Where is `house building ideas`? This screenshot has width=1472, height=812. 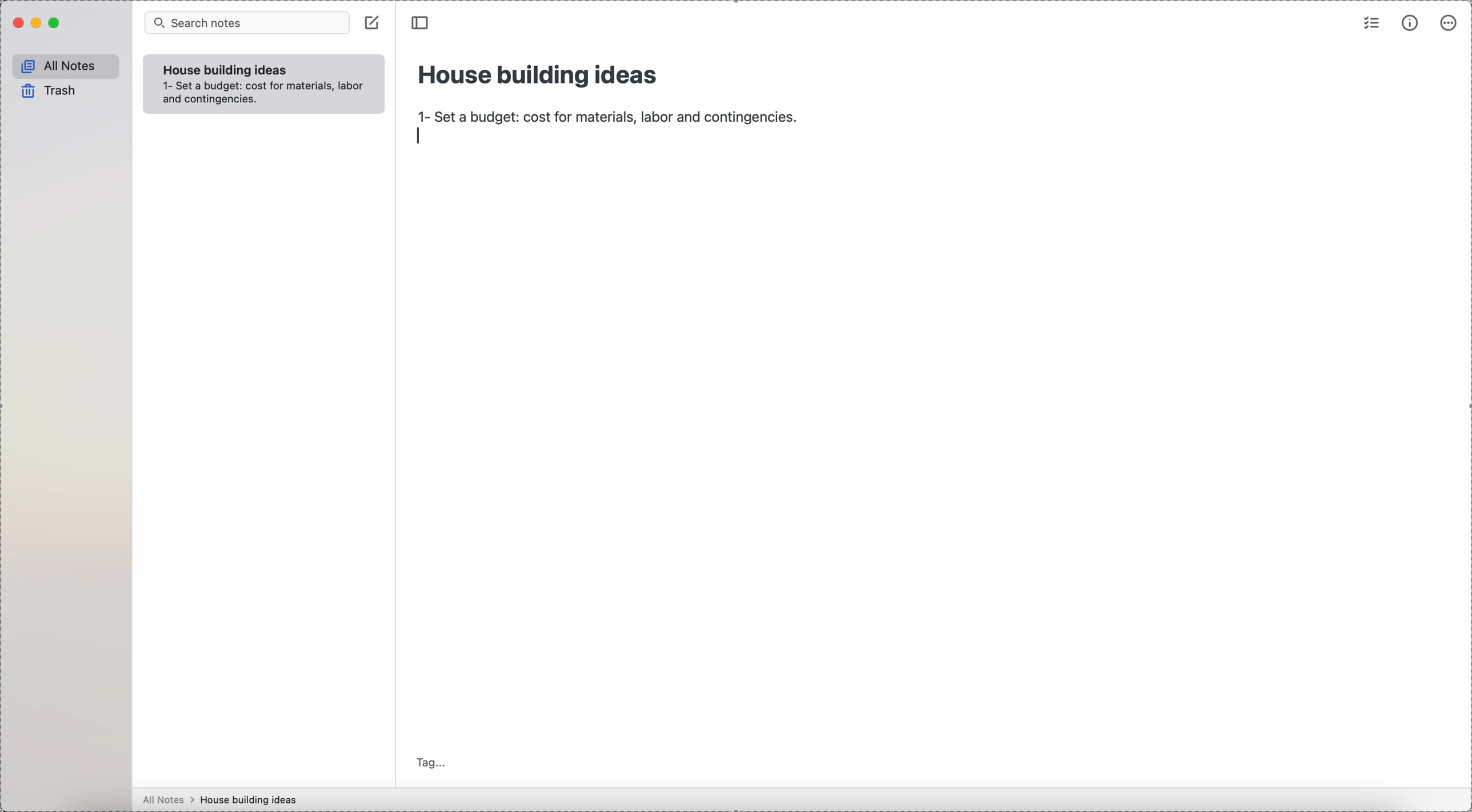 house building ideas is located at coordinates (252, 799).